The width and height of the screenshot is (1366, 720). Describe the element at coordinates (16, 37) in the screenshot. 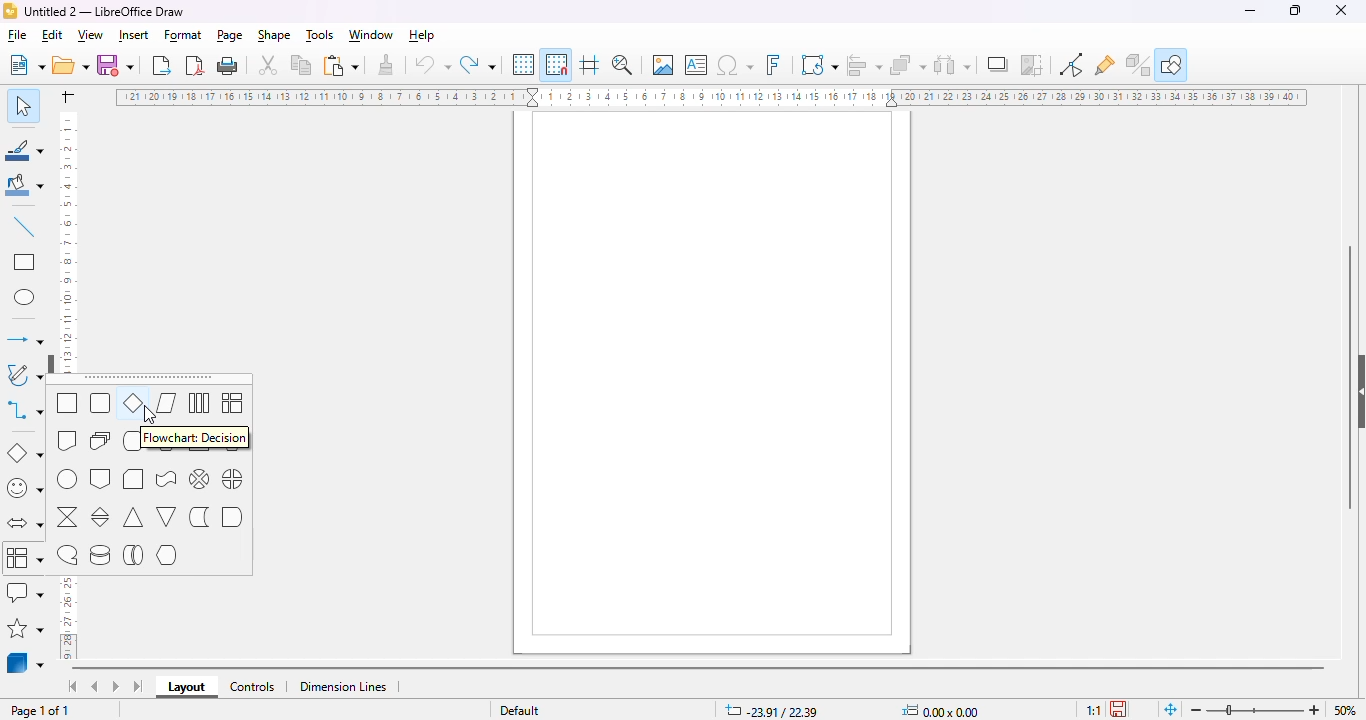

I see `file` at that location.